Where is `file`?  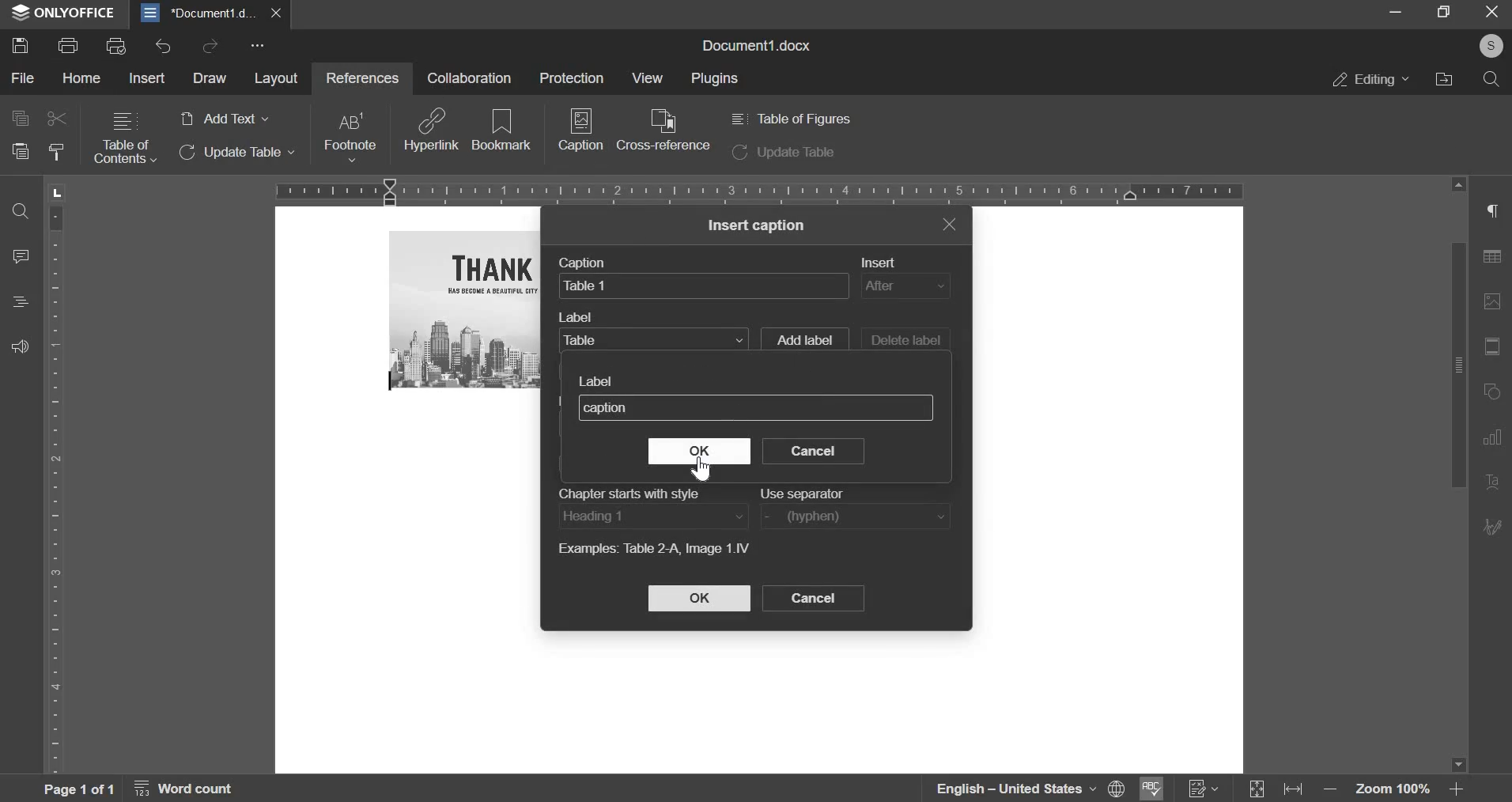 file is located at coordinates (24, 79).